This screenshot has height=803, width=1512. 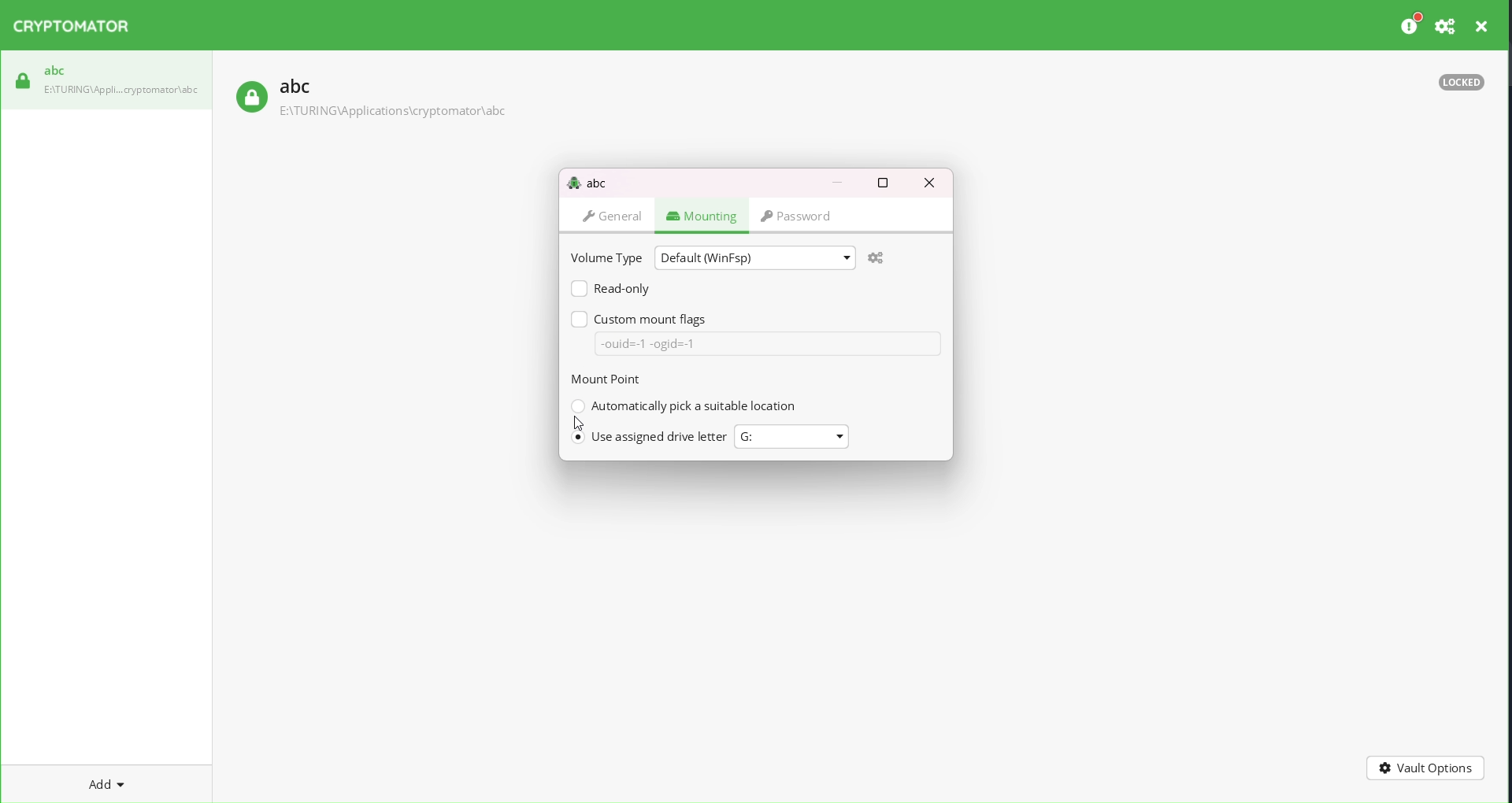 What do you see at coordinates (21, 80) in the screenshot?
I see `locked` at bounding box center [21, 80].